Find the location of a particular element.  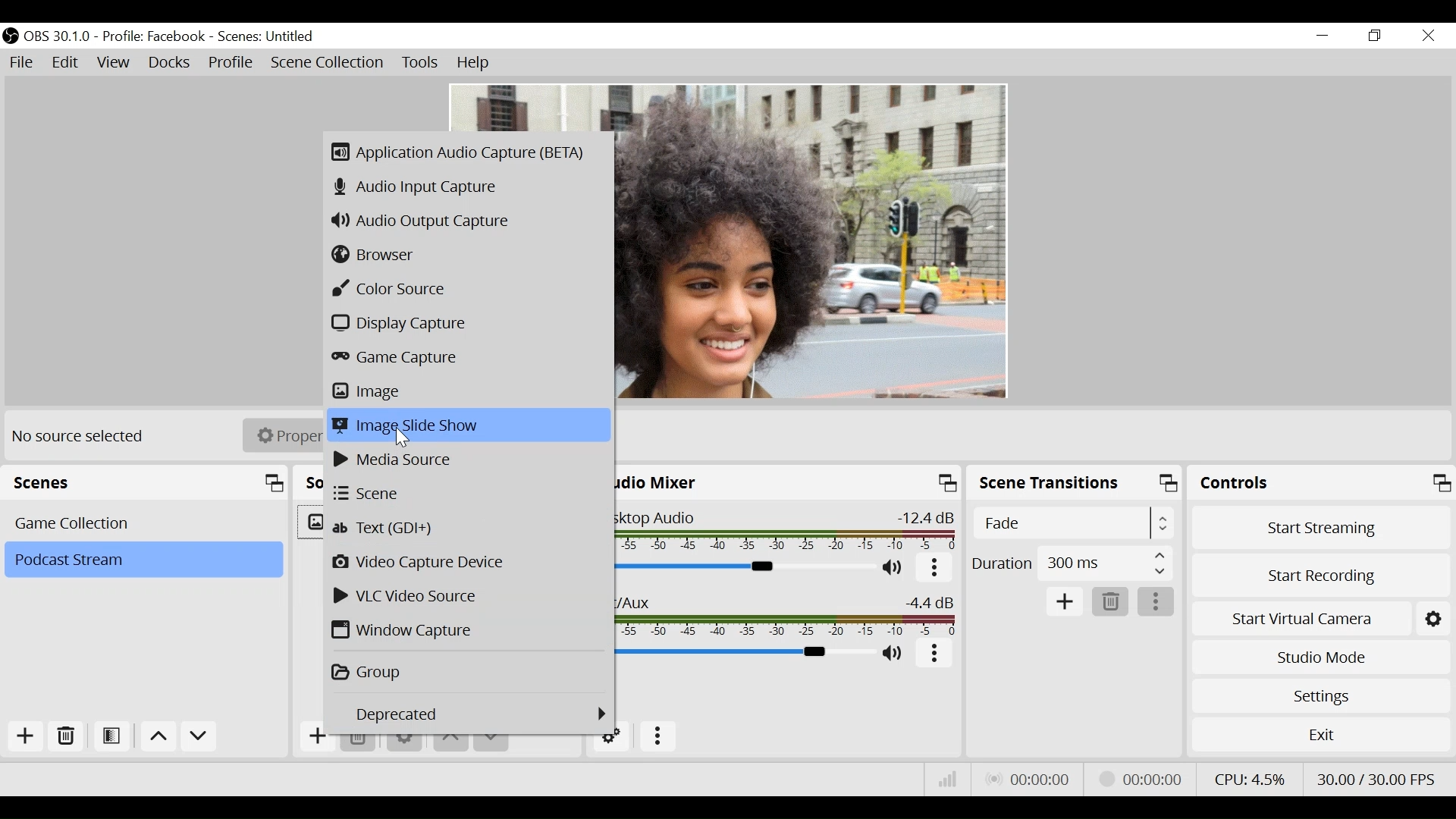

Image Slide Show is located at coordinates (469, 423).